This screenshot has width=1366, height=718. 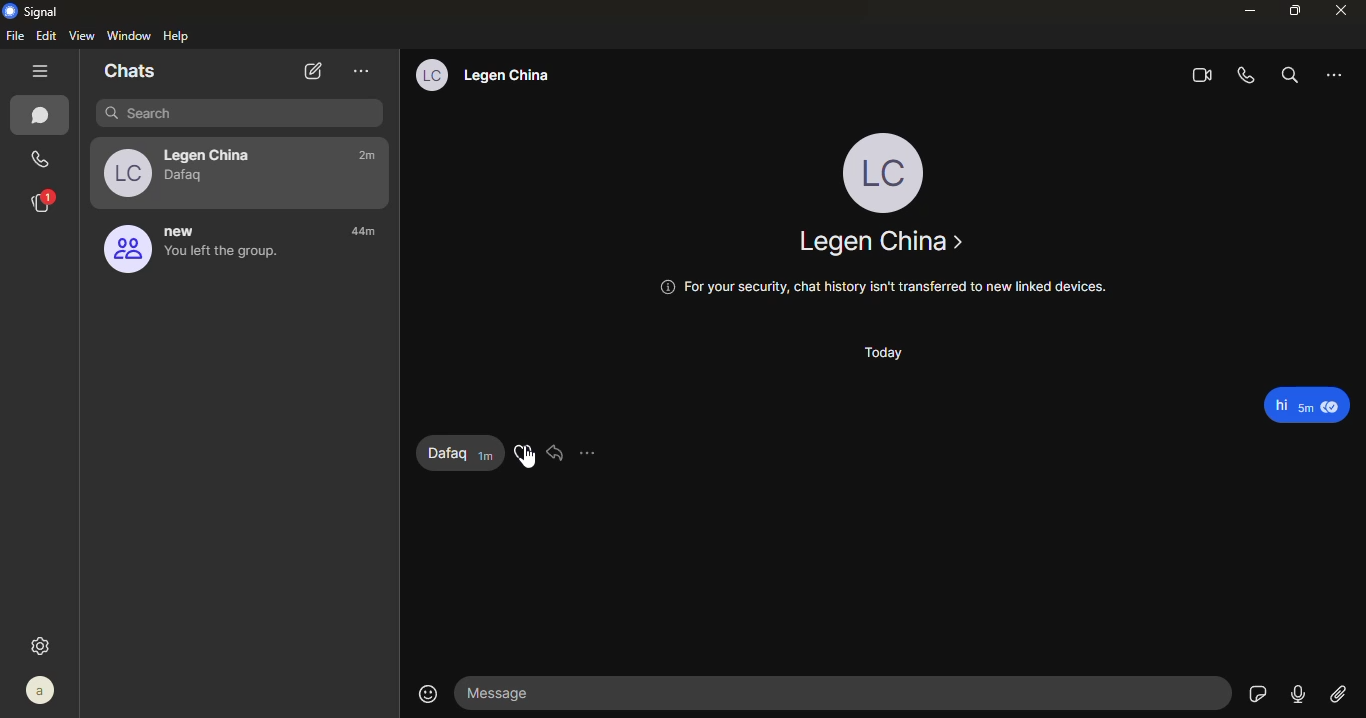 What do you see at coordinates (178, 36) in the screenshot?
I see `help` at bounding box center [178, 36].